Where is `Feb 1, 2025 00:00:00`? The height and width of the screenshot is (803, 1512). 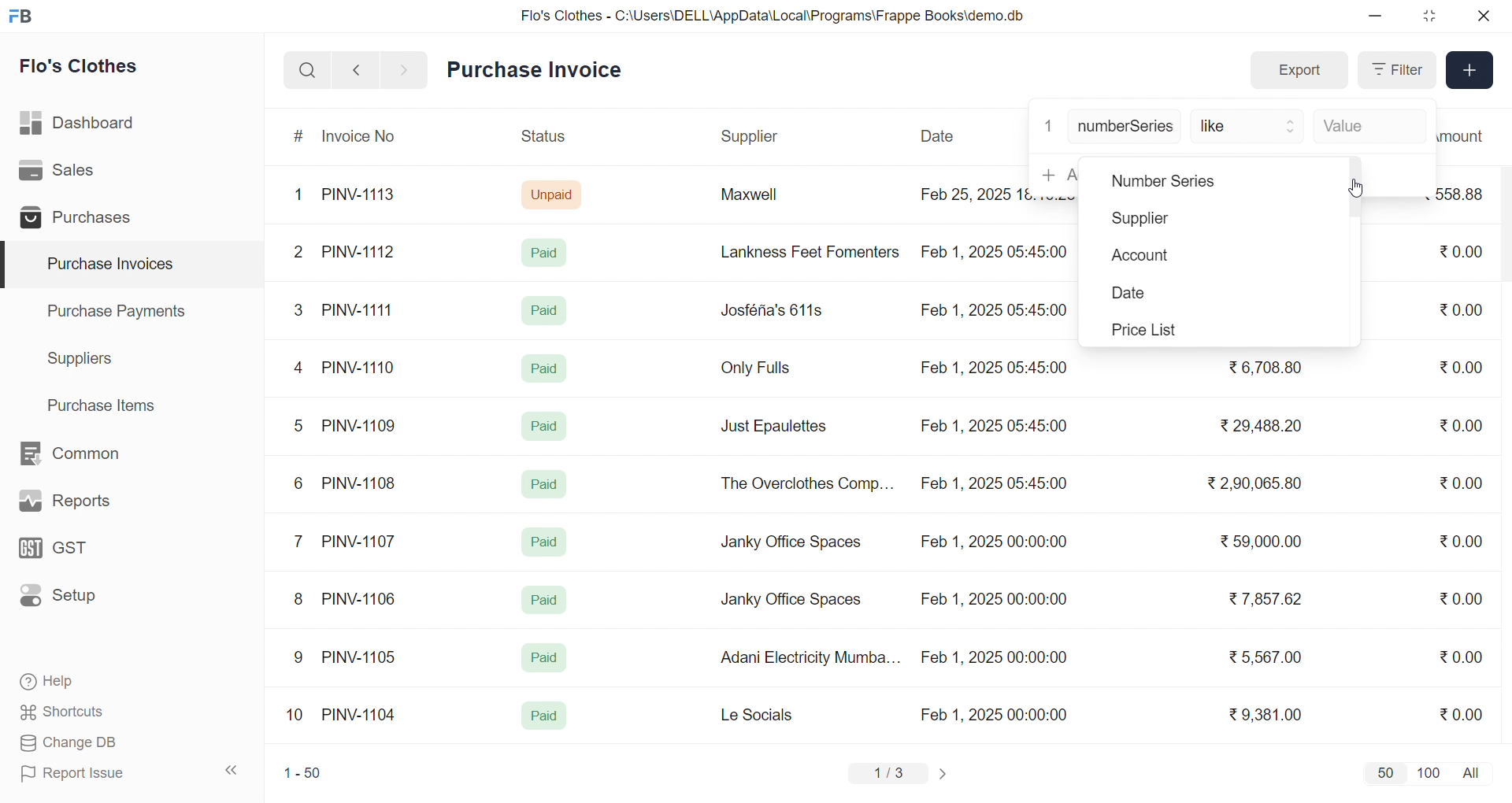 Feb 1, 2025 00:00:00 is located at coordinates (993, 544).